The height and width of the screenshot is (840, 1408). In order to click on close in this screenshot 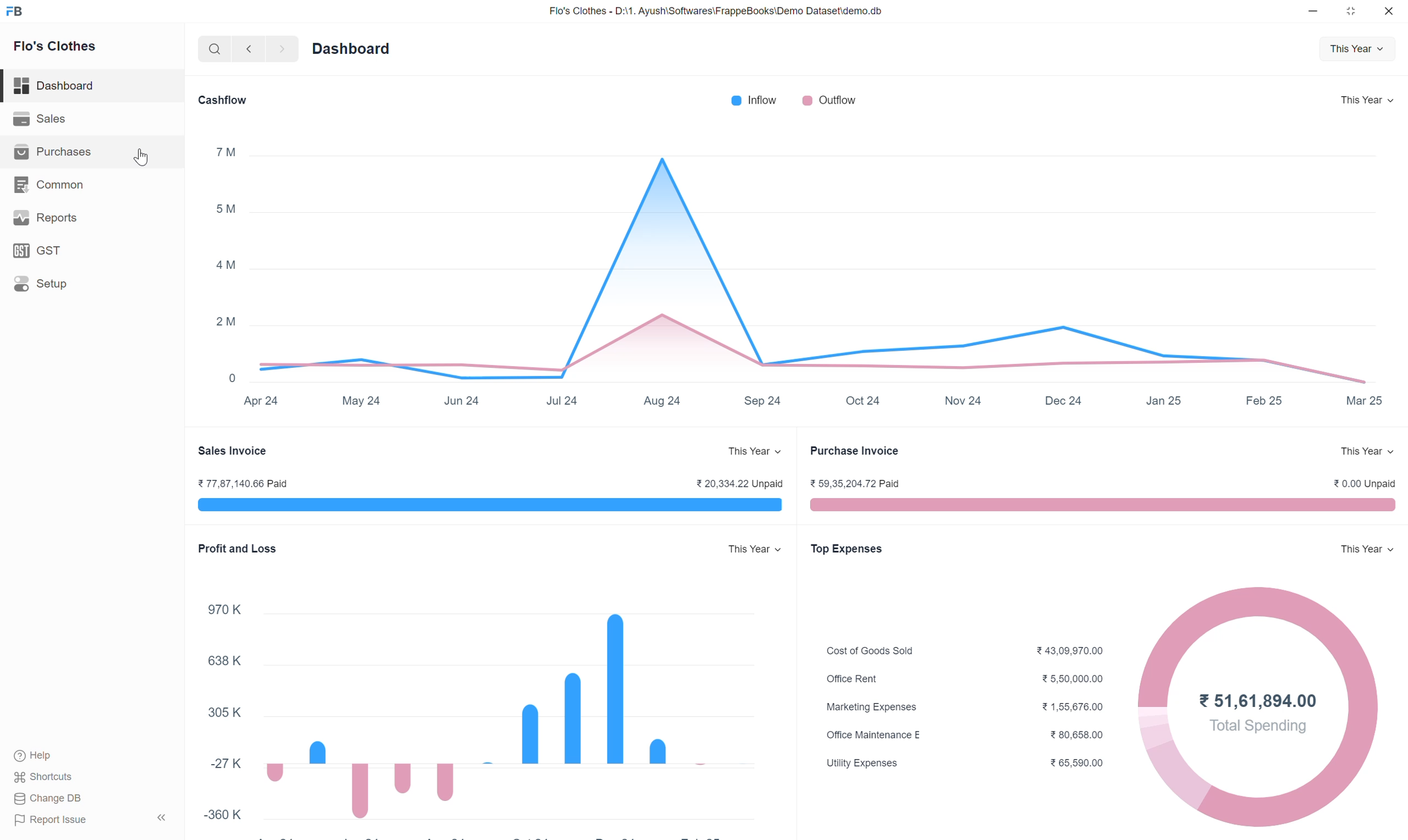, I will do `click(1390, 11)`.